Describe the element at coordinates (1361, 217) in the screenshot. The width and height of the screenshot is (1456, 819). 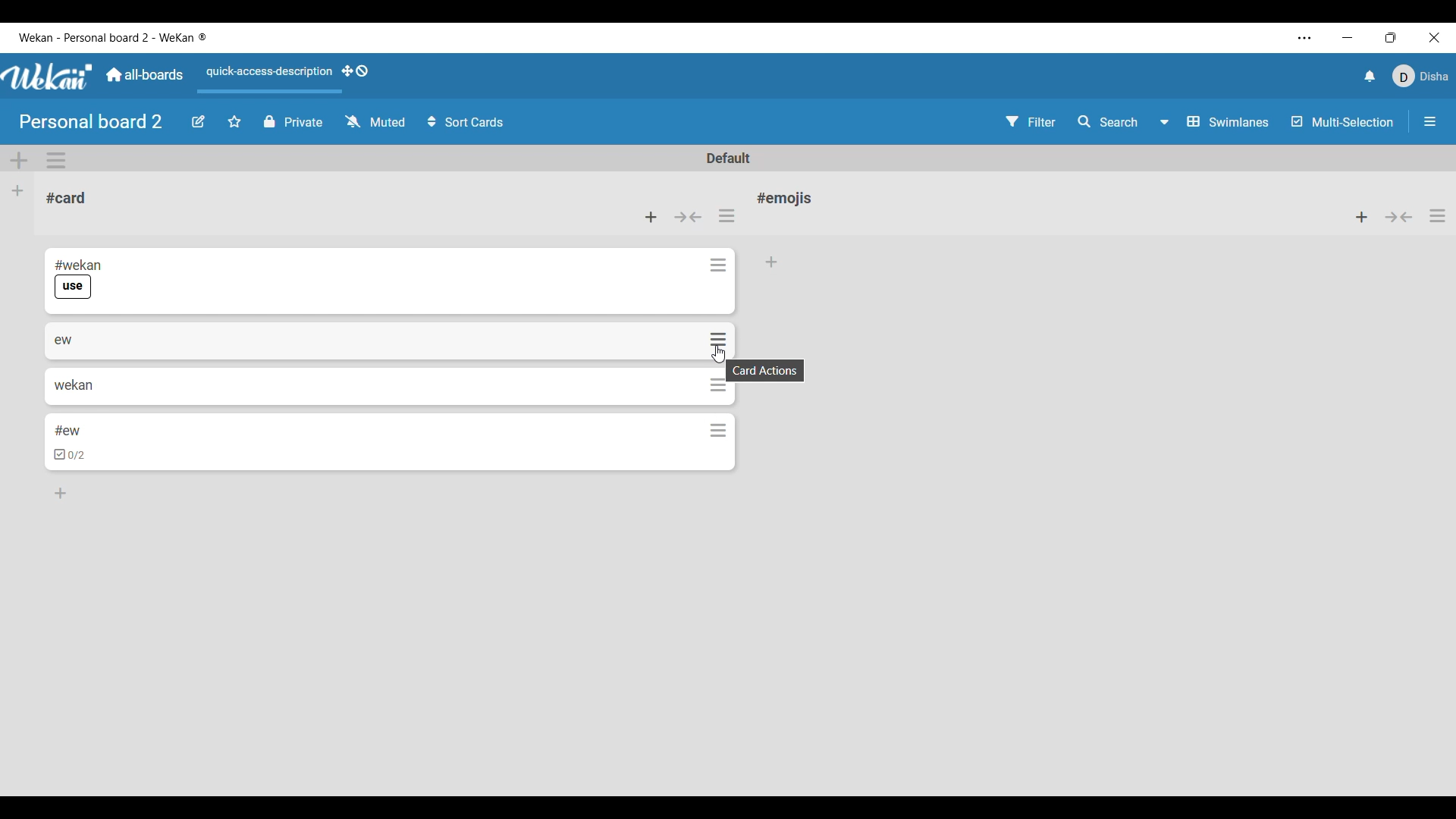
I see `Add card to top of list` at that location.